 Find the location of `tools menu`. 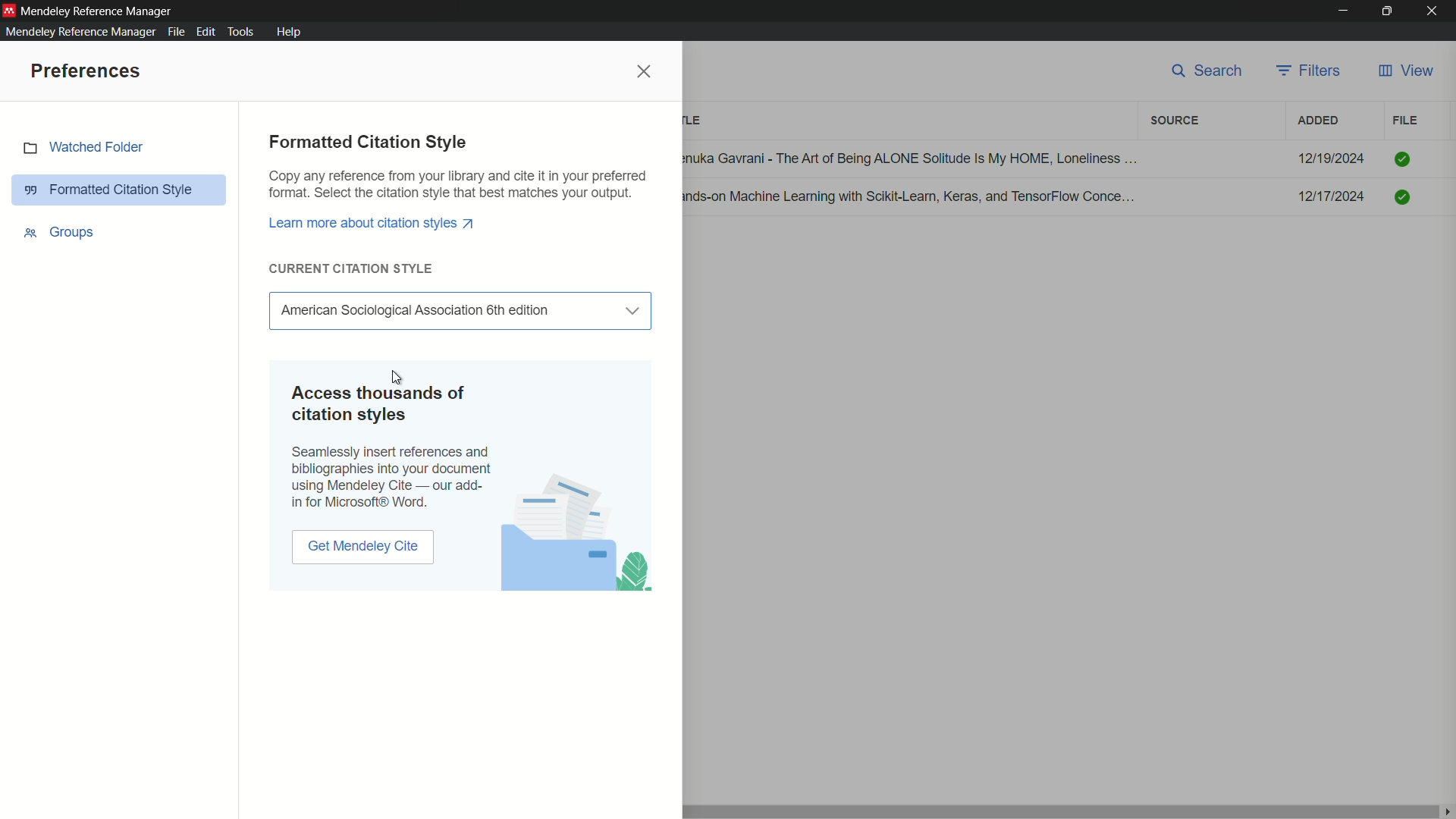

tools menu is located at coordinates (242, 32).